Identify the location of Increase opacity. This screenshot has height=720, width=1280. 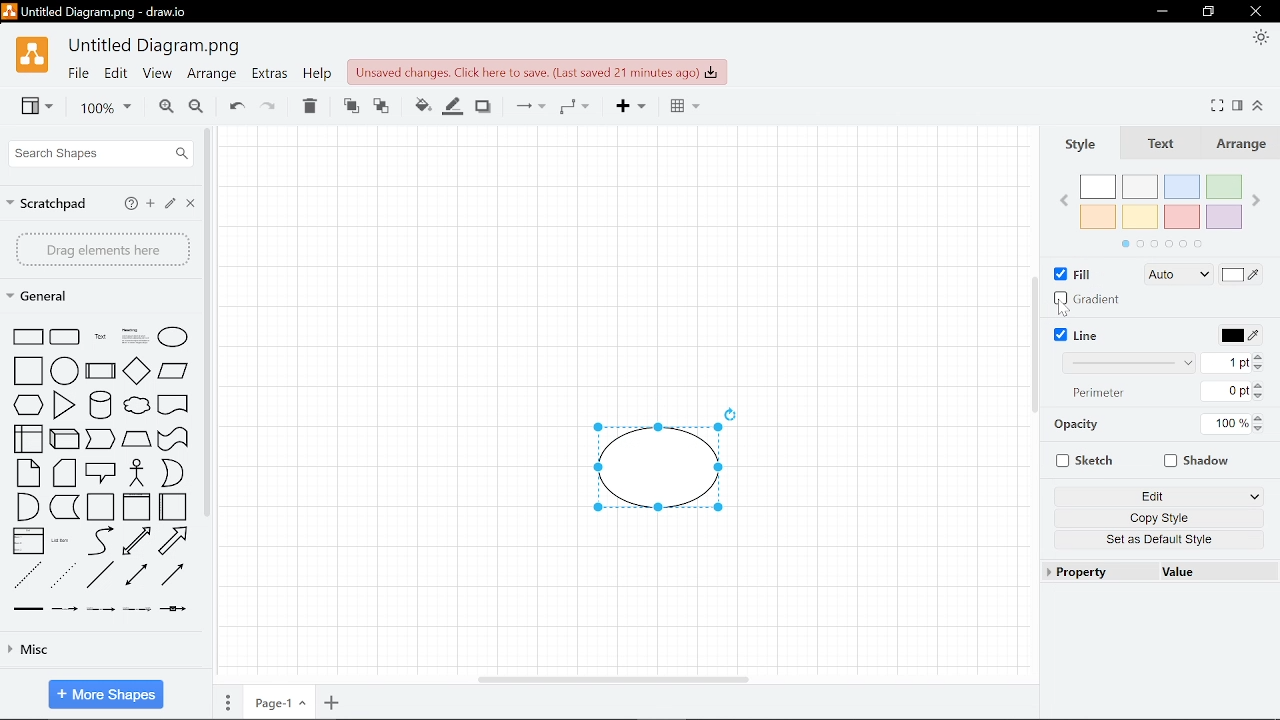
(1260, 418).